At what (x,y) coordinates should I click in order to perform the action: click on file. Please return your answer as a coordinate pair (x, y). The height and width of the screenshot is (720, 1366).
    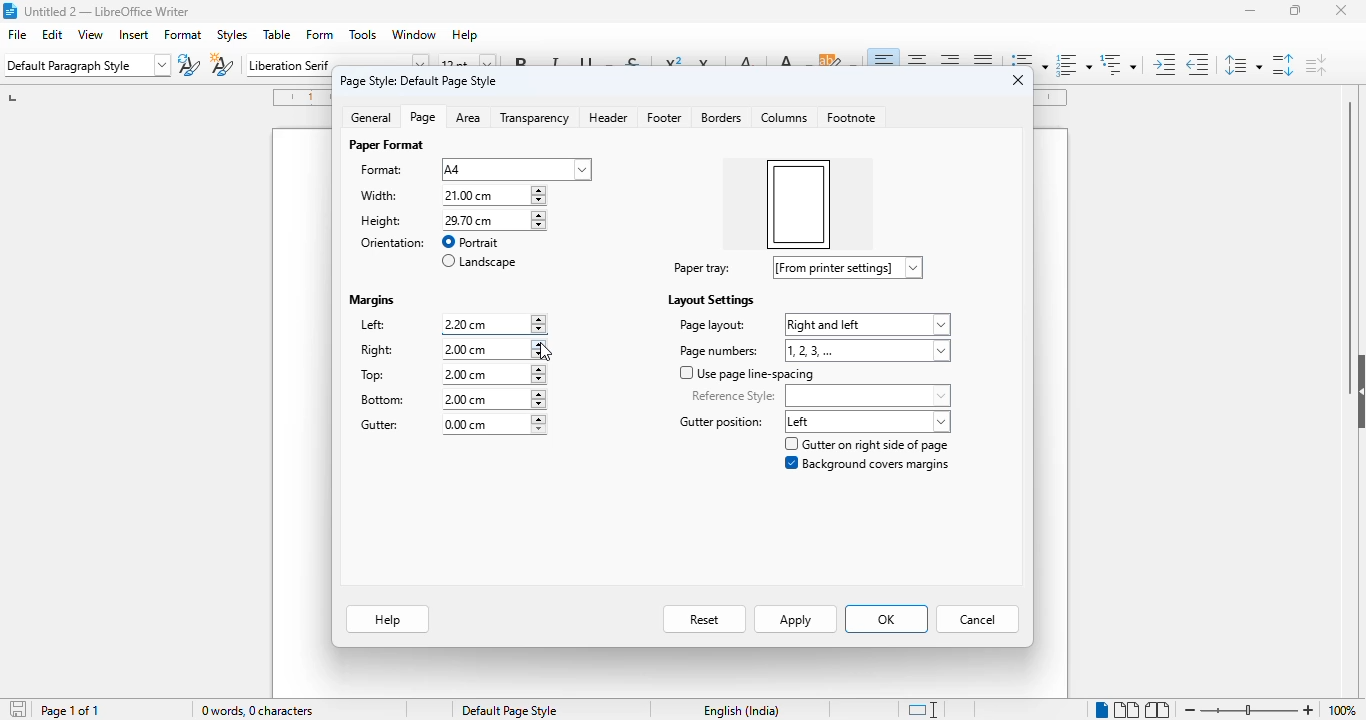
    Looking at the image, I should click on (17, 34).